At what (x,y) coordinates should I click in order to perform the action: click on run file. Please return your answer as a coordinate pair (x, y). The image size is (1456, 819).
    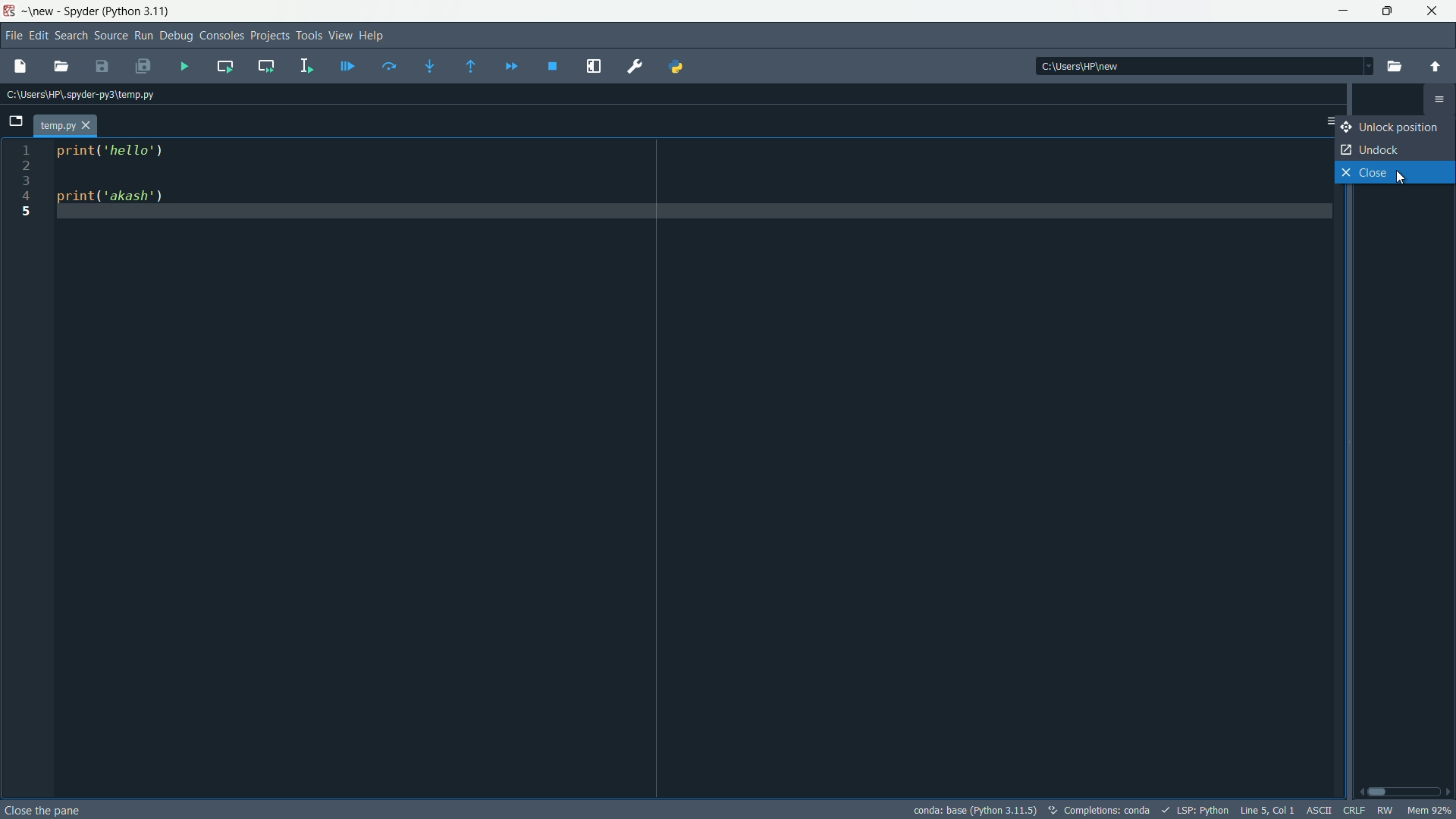
    Looking at the image, I should click on (184, 67).